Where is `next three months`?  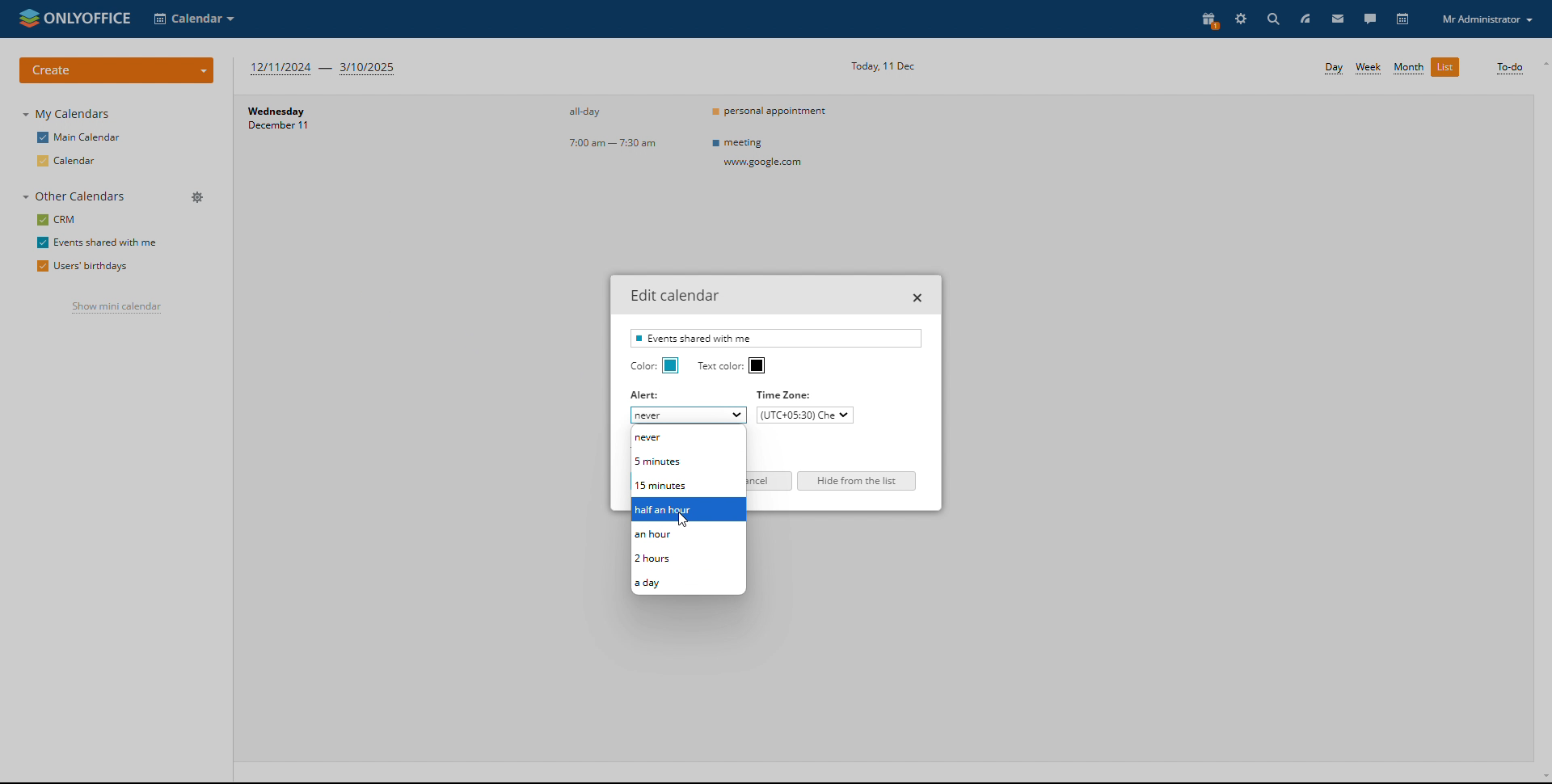 next three months is located at coordinates (325, 70).